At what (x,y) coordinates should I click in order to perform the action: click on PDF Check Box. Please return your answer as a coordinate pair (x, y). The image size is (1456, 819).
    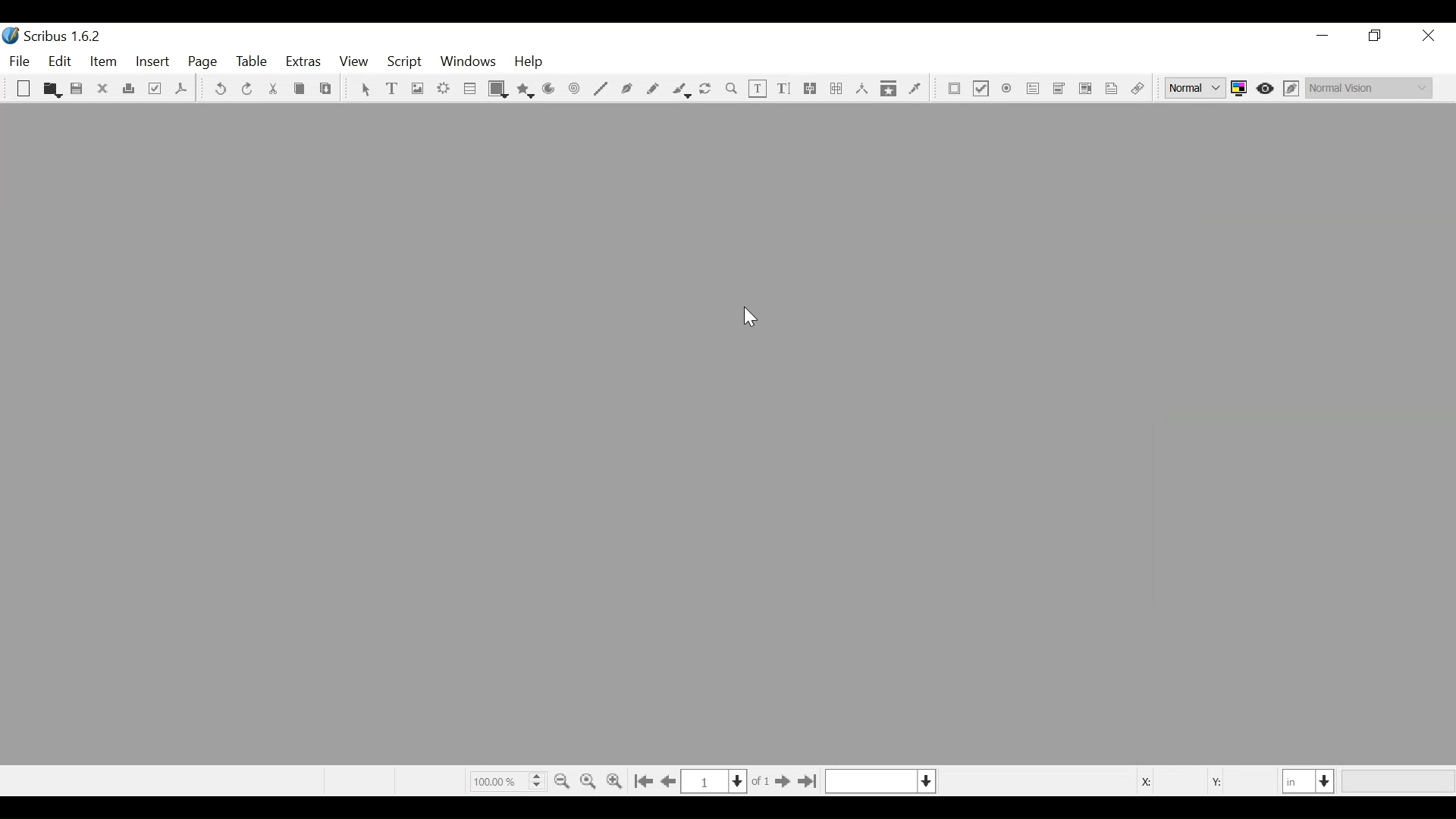
    Looking at the image, I should click on (981, 90).